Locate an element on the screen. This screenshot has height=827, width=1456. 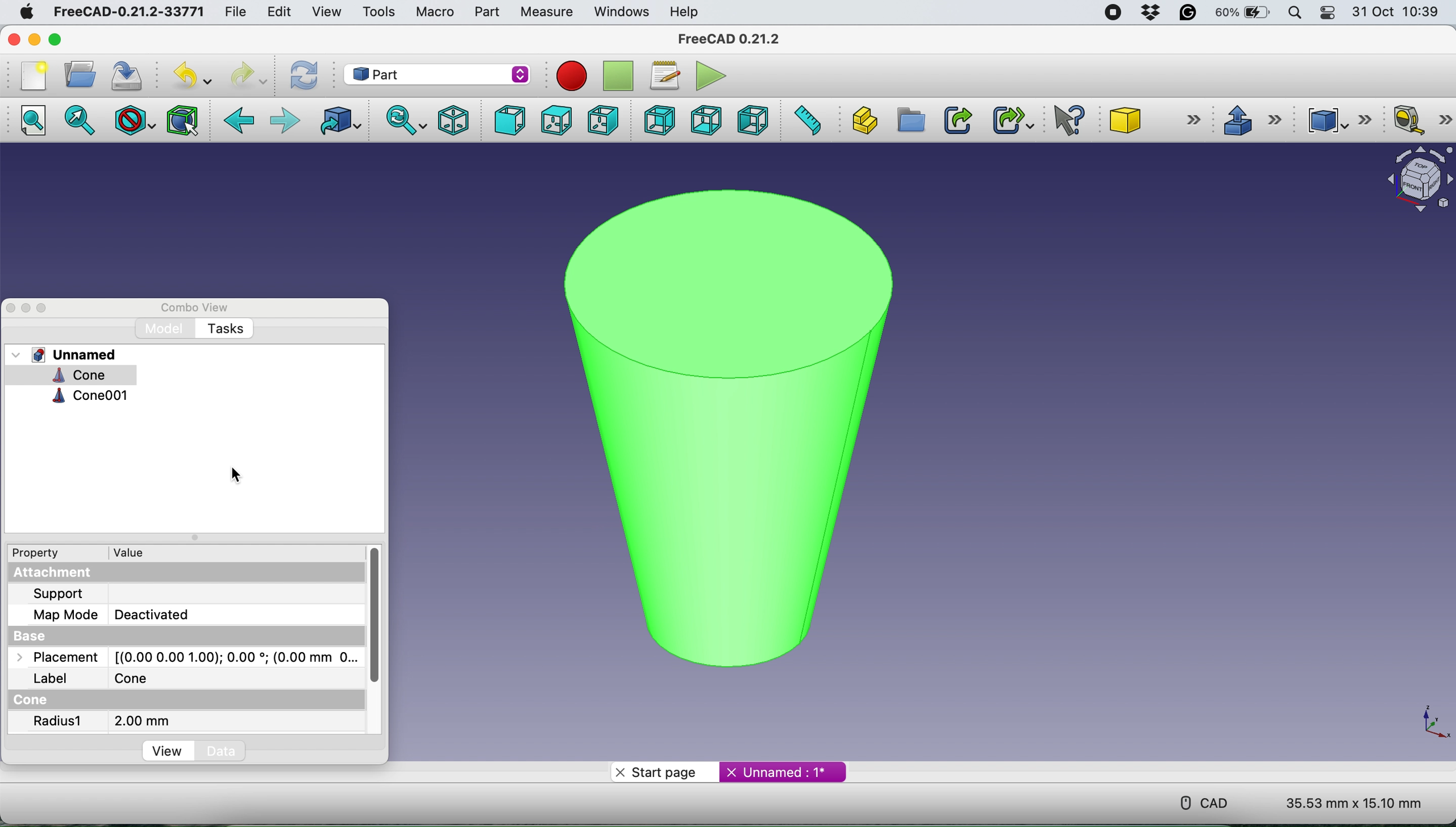
unnamed : 1* is located at coordinates (783, 770).